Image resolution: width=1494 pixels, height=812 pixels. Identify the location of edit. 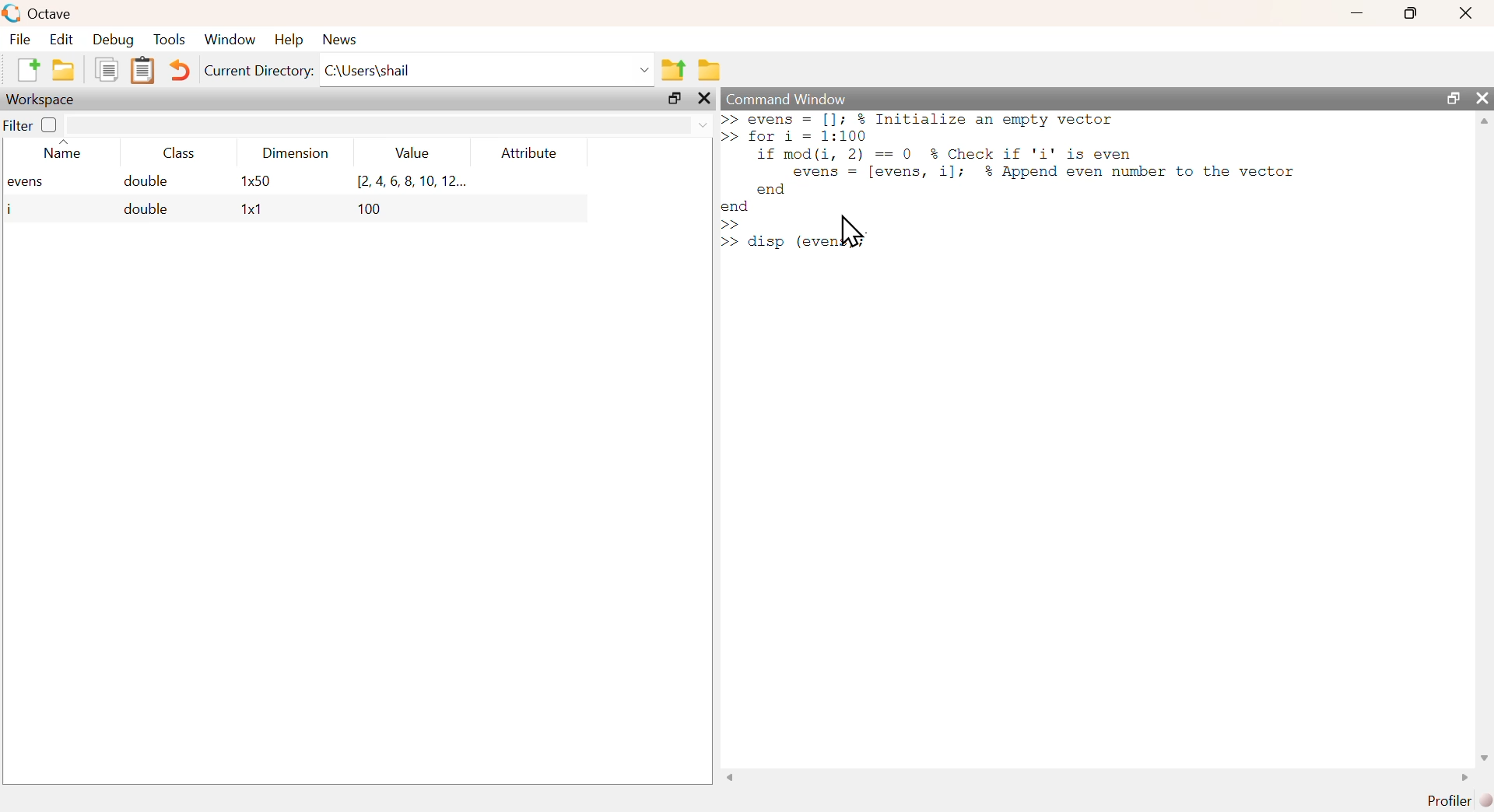
(60, 40).